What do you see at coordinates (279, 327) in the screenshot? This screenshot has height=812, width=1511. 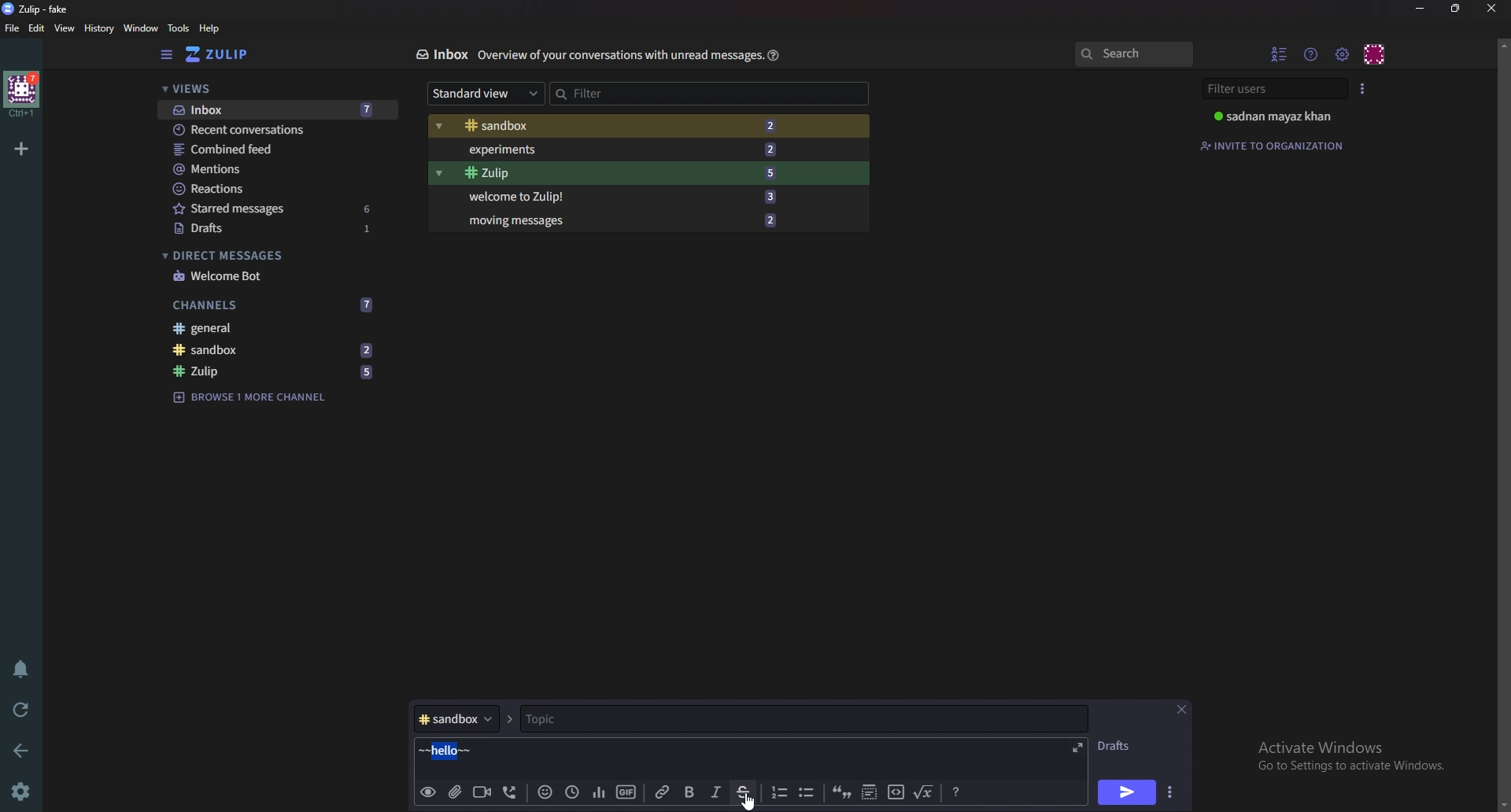 I see `General` at bounding box center [279, 327].